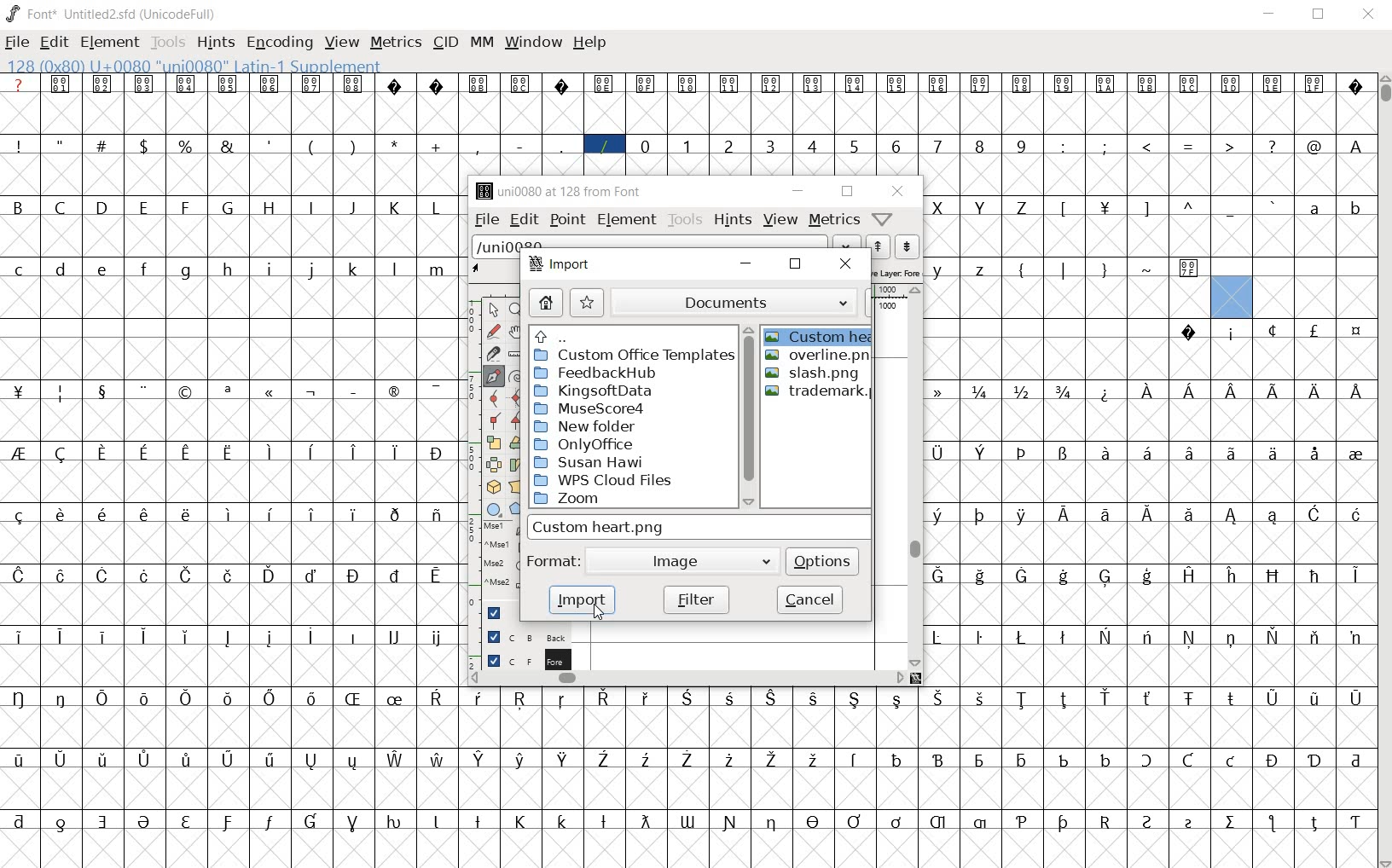  Describe the element at coordinates (1273, 453) in the screenshot. I see `glyph` at that location.